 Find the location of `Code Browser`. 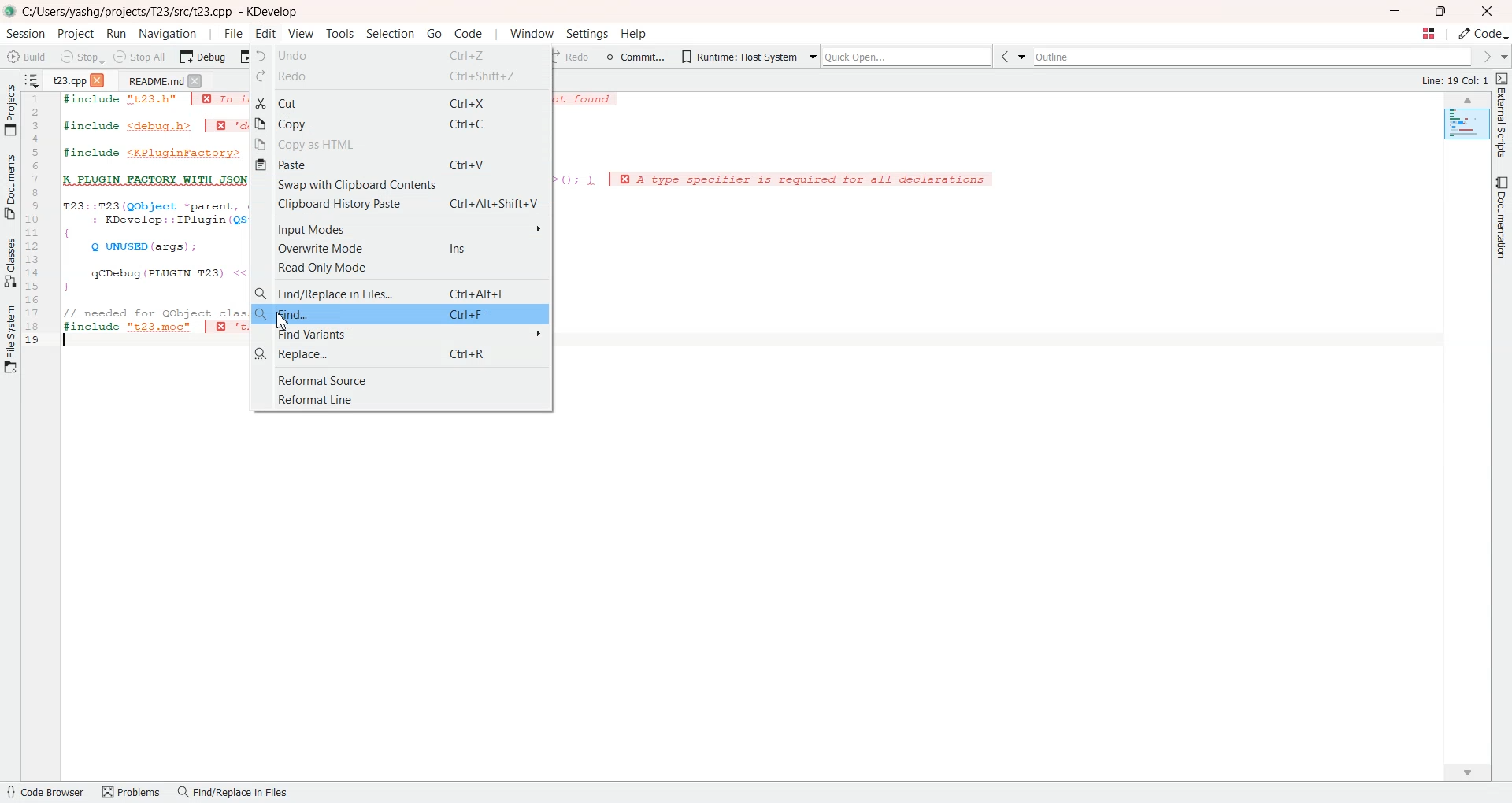

Code Browser is located at coordinates (46, 794).